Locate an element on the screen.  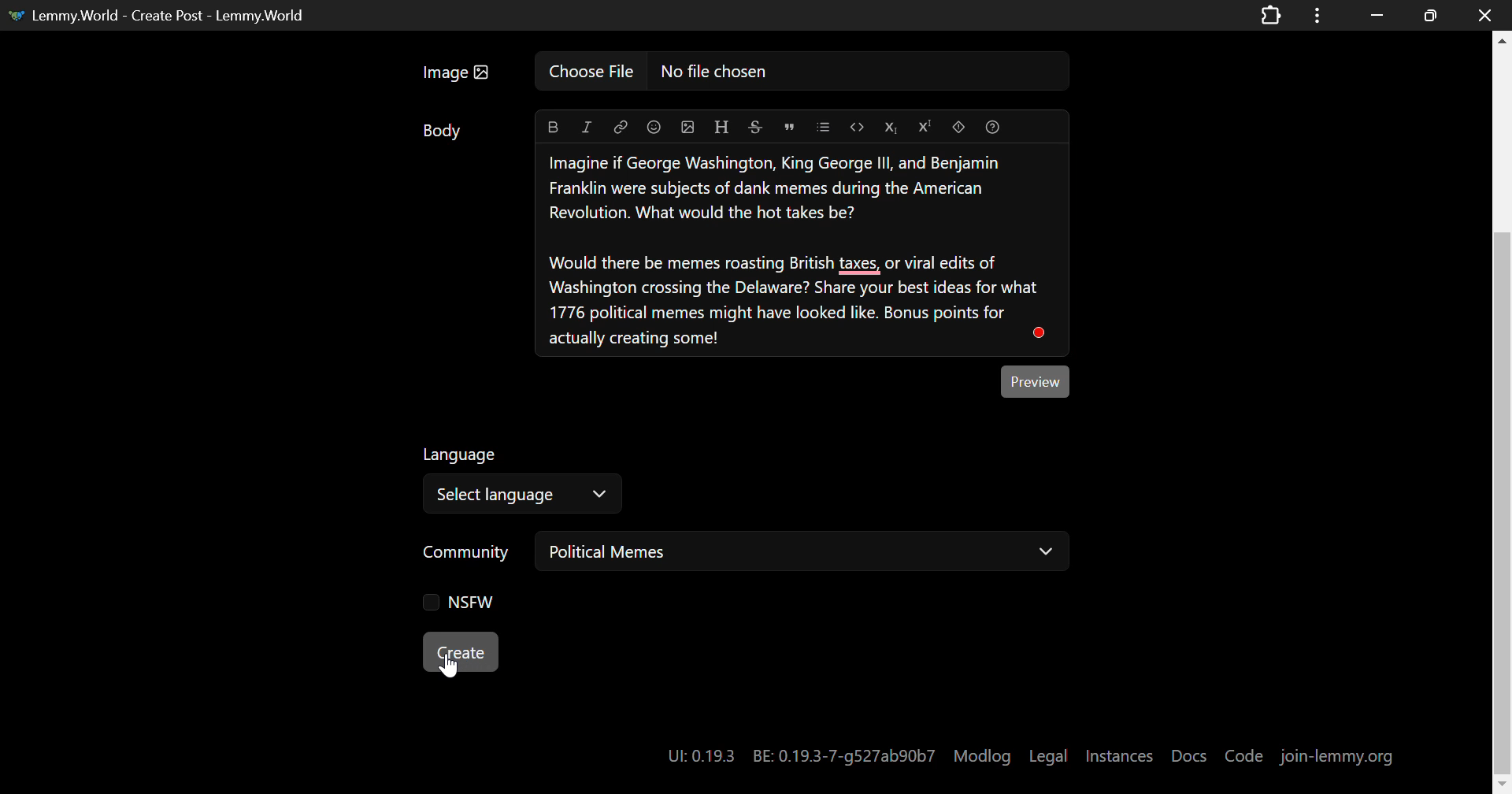
Docs is located at coordinates (1190, 756).